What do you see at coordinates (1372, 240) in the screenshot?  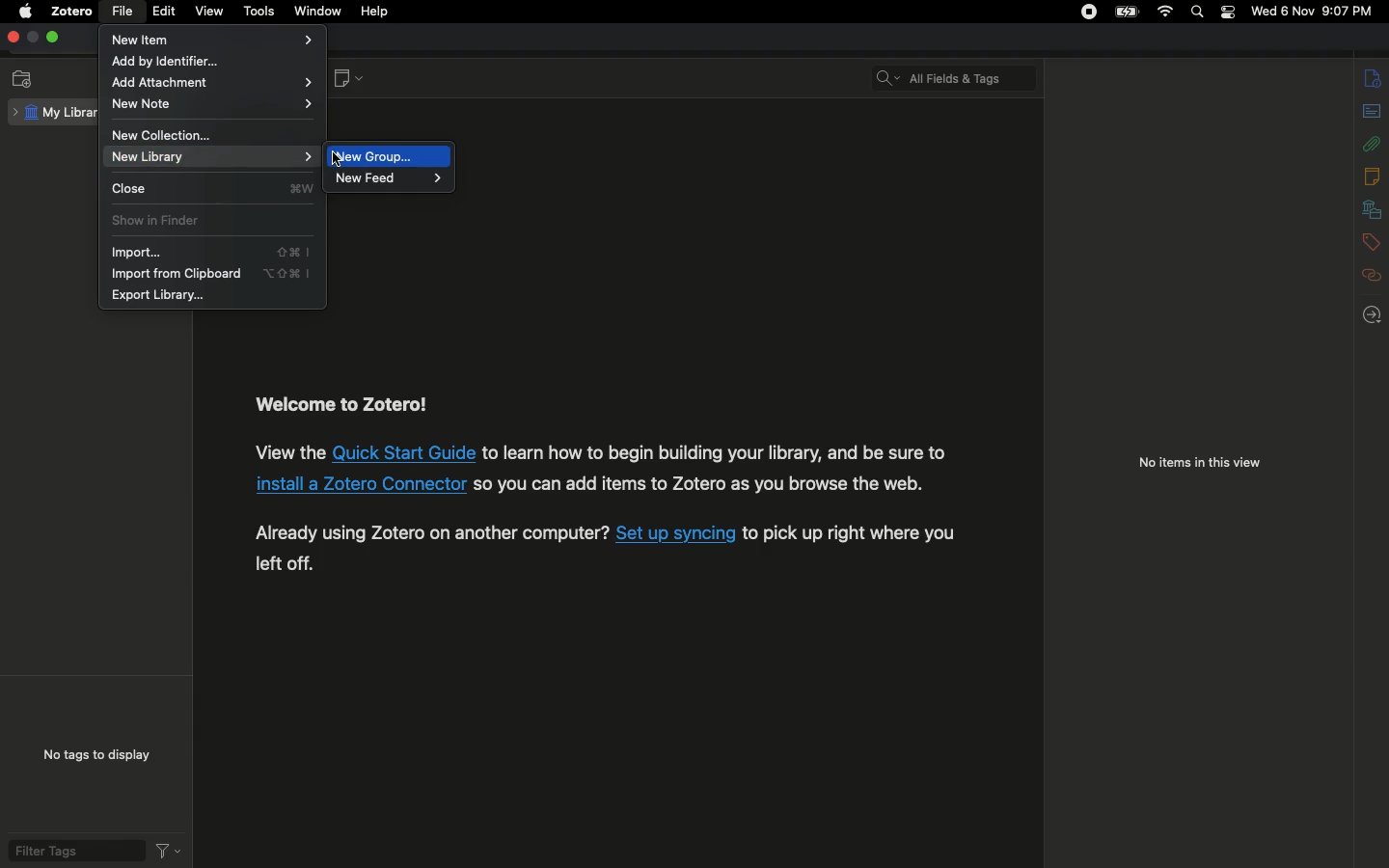 I see `Tags` at bounding box center [1372, 240].